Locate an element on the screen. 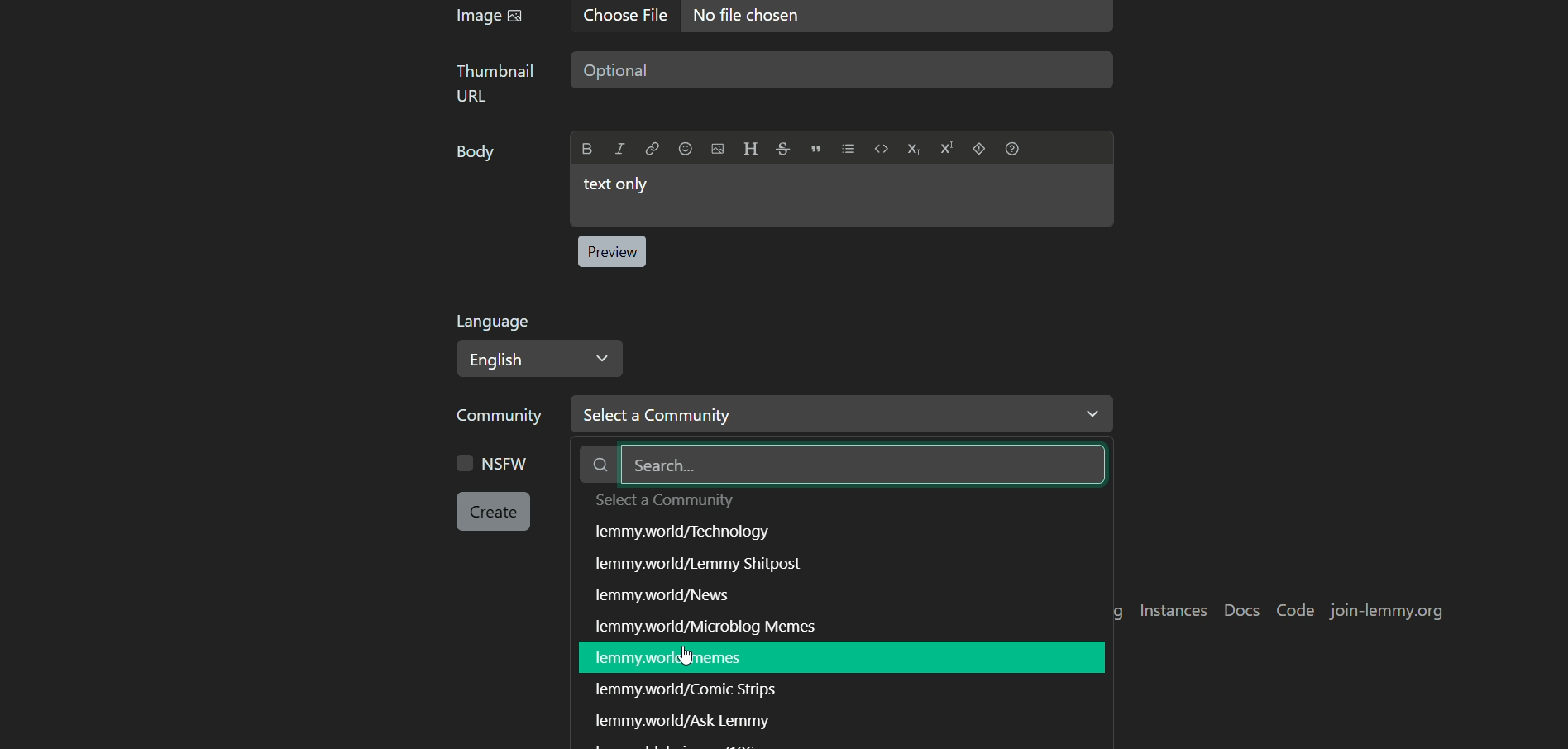 The image size is (1568, 749). Link is located at coordinates (653, 149).